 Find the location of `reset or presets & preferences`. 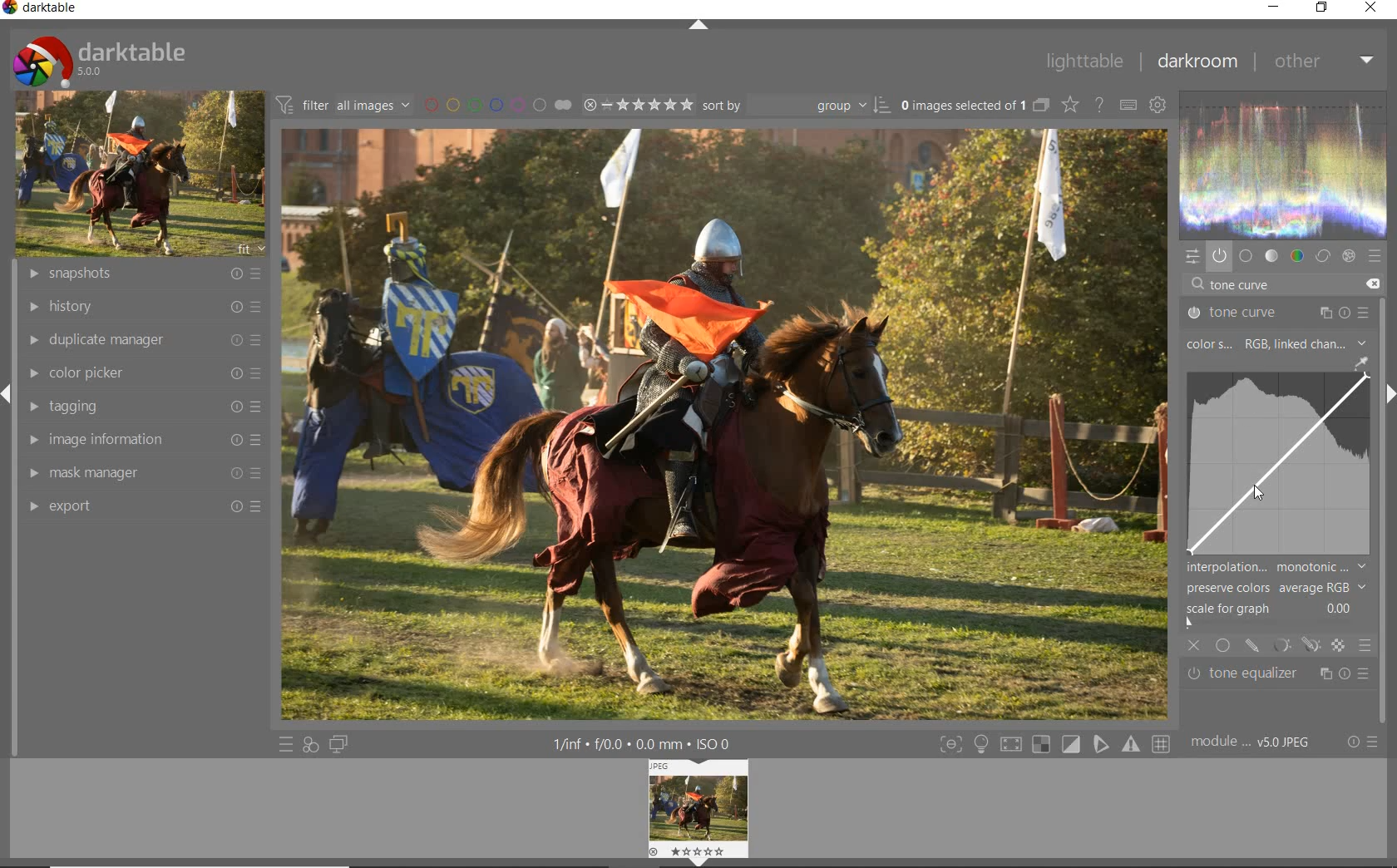

reset or presets & preferences is located at coordinates (1362, 743).